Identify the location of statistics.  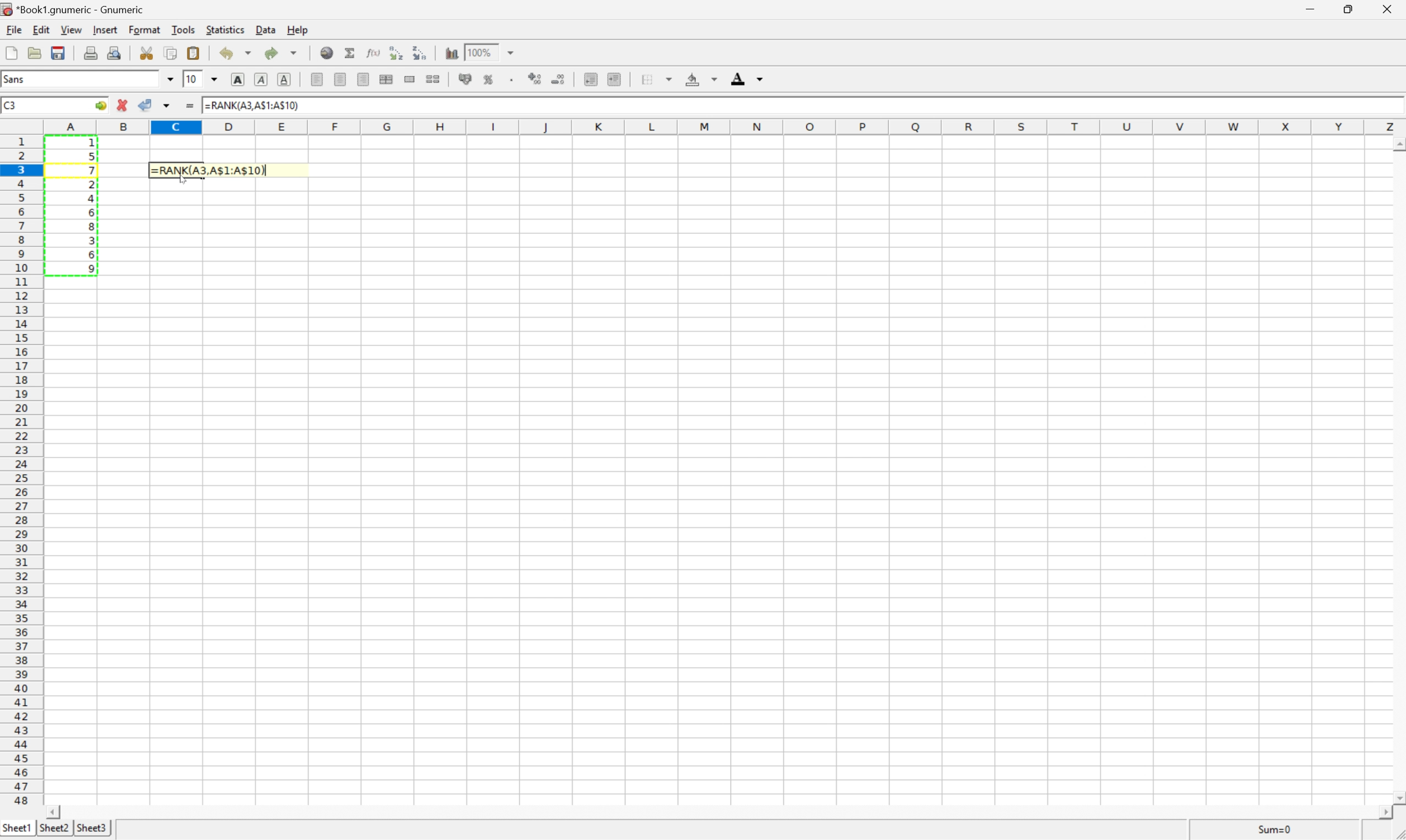
(226, 29).